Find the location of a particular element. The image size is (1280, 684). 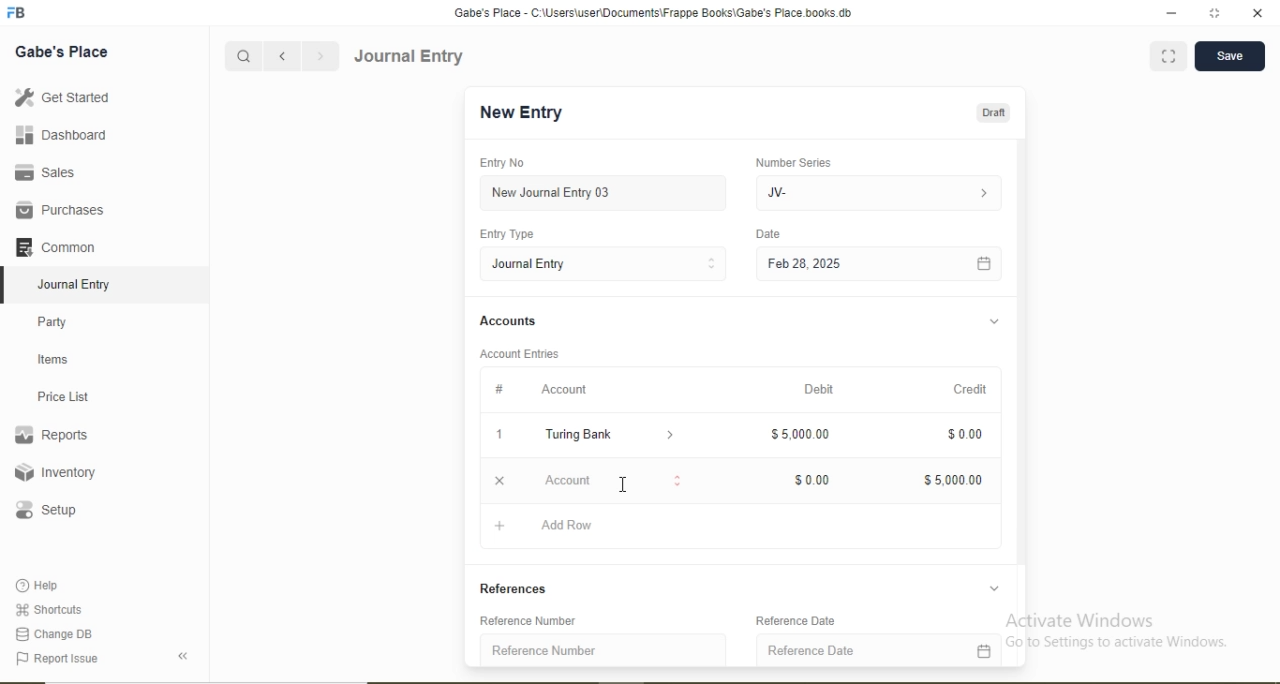

Purchases is located at coordinates (59, 210).